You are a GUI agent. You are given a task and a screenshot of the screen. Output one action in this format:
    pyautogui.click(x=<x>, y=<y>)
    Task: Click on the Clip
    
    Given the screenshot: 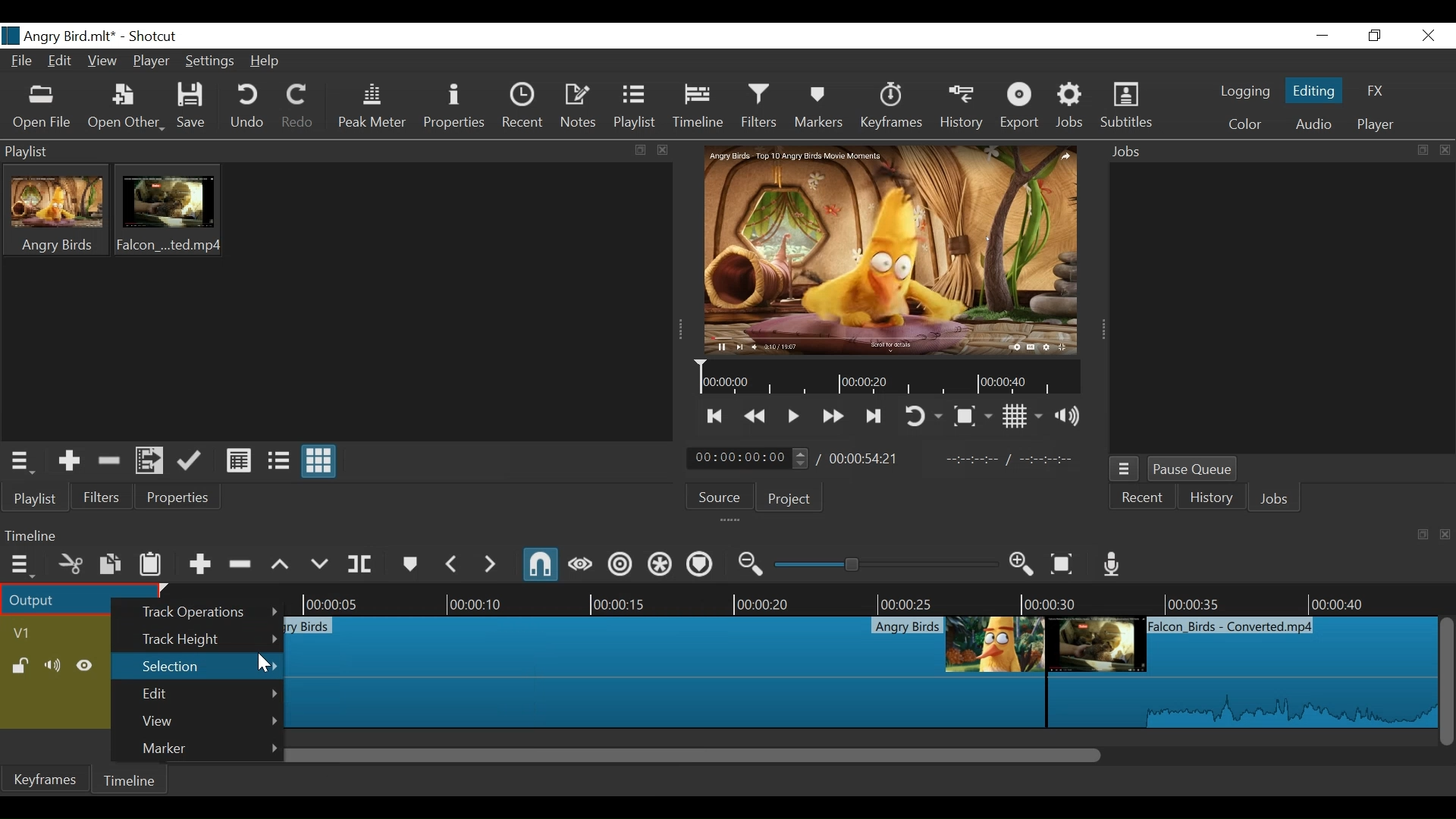 What is the action you would take?
    pyautogui.click(x=169, y=209)
    